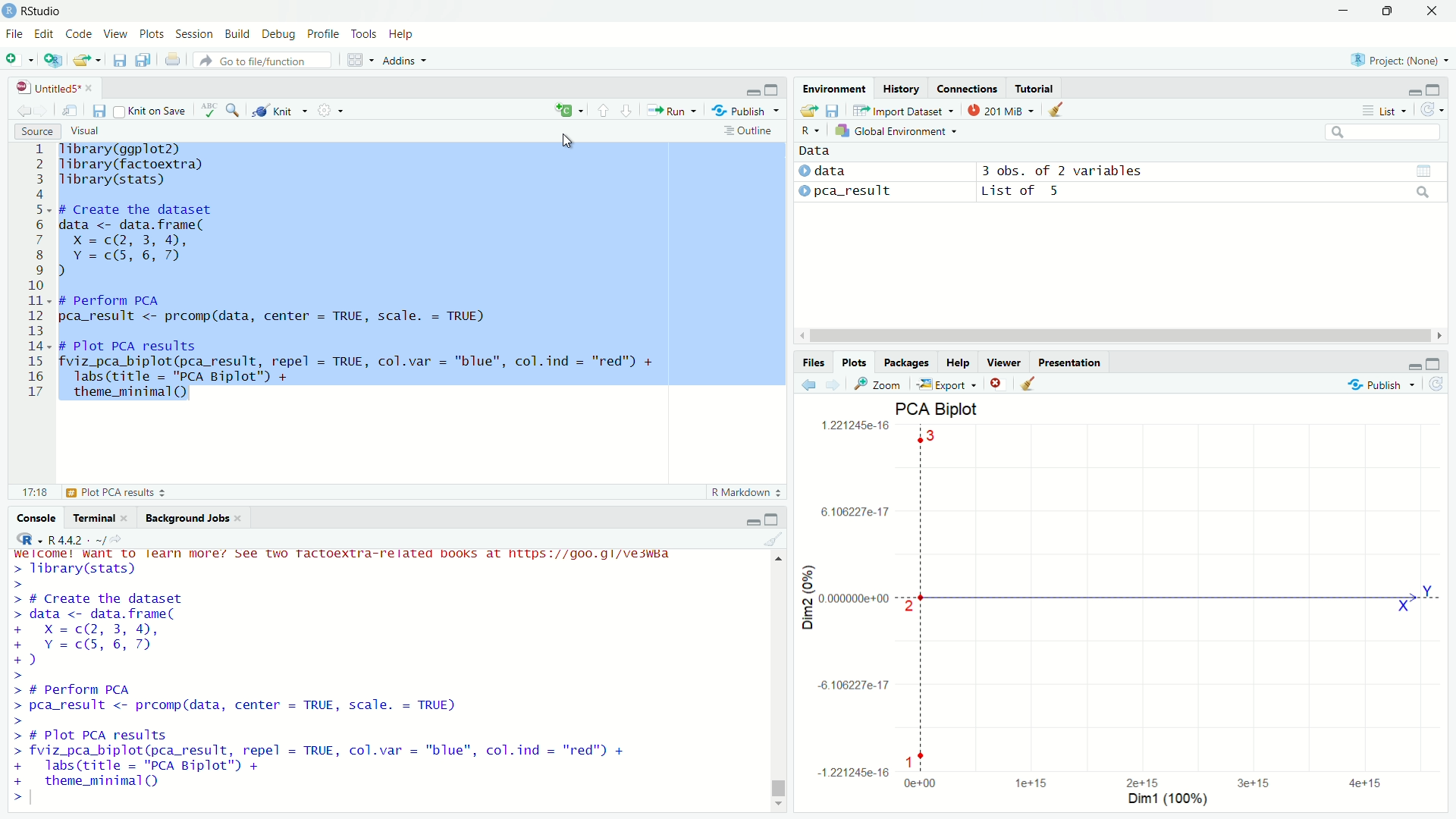  What do you see at coordinates (237, 110) in the screenshot?
I see `find and replace` at bounding box center [237, 110].